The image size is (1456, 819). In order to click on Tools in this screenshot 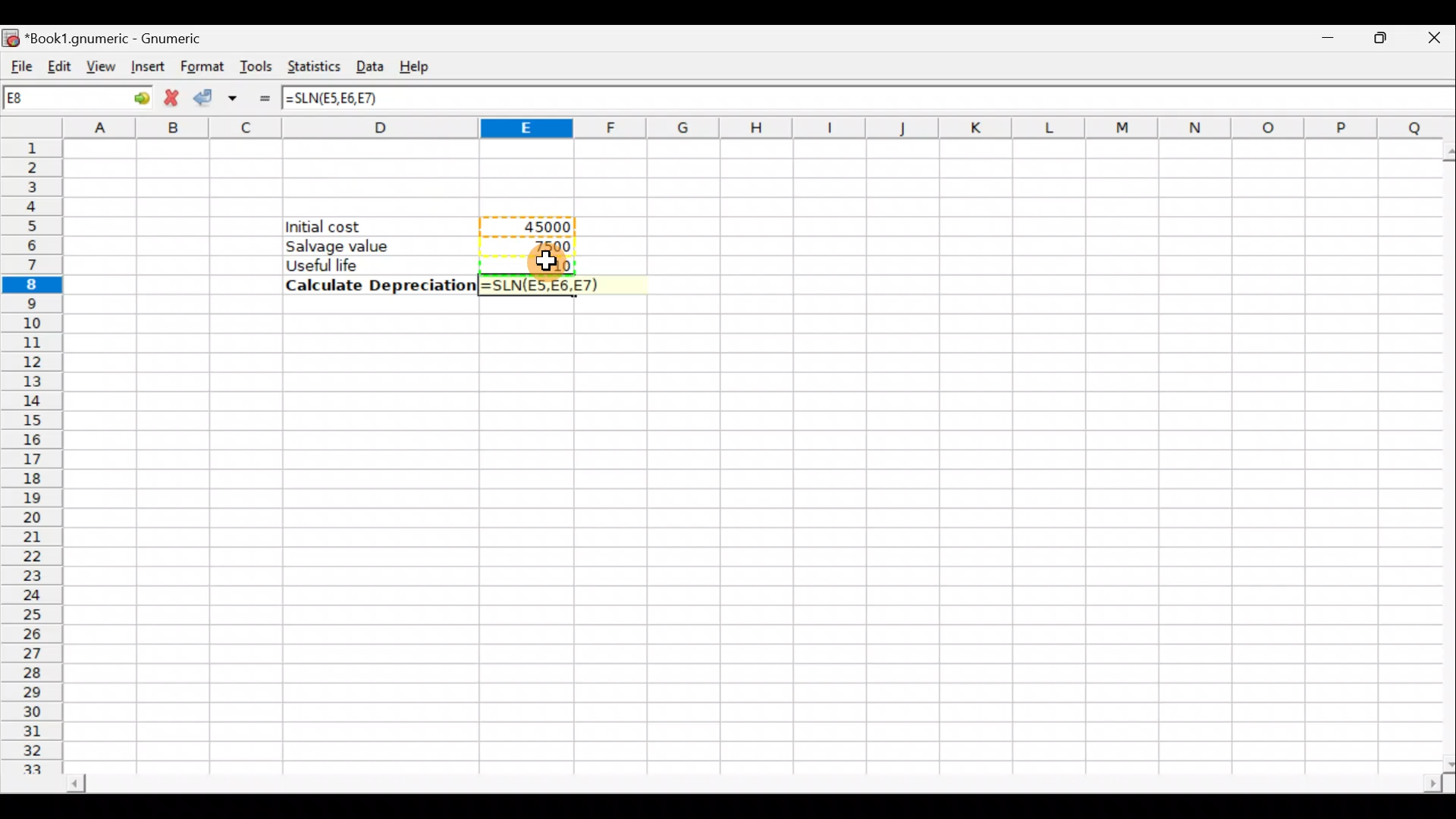, I will do `click(258, 65)`.